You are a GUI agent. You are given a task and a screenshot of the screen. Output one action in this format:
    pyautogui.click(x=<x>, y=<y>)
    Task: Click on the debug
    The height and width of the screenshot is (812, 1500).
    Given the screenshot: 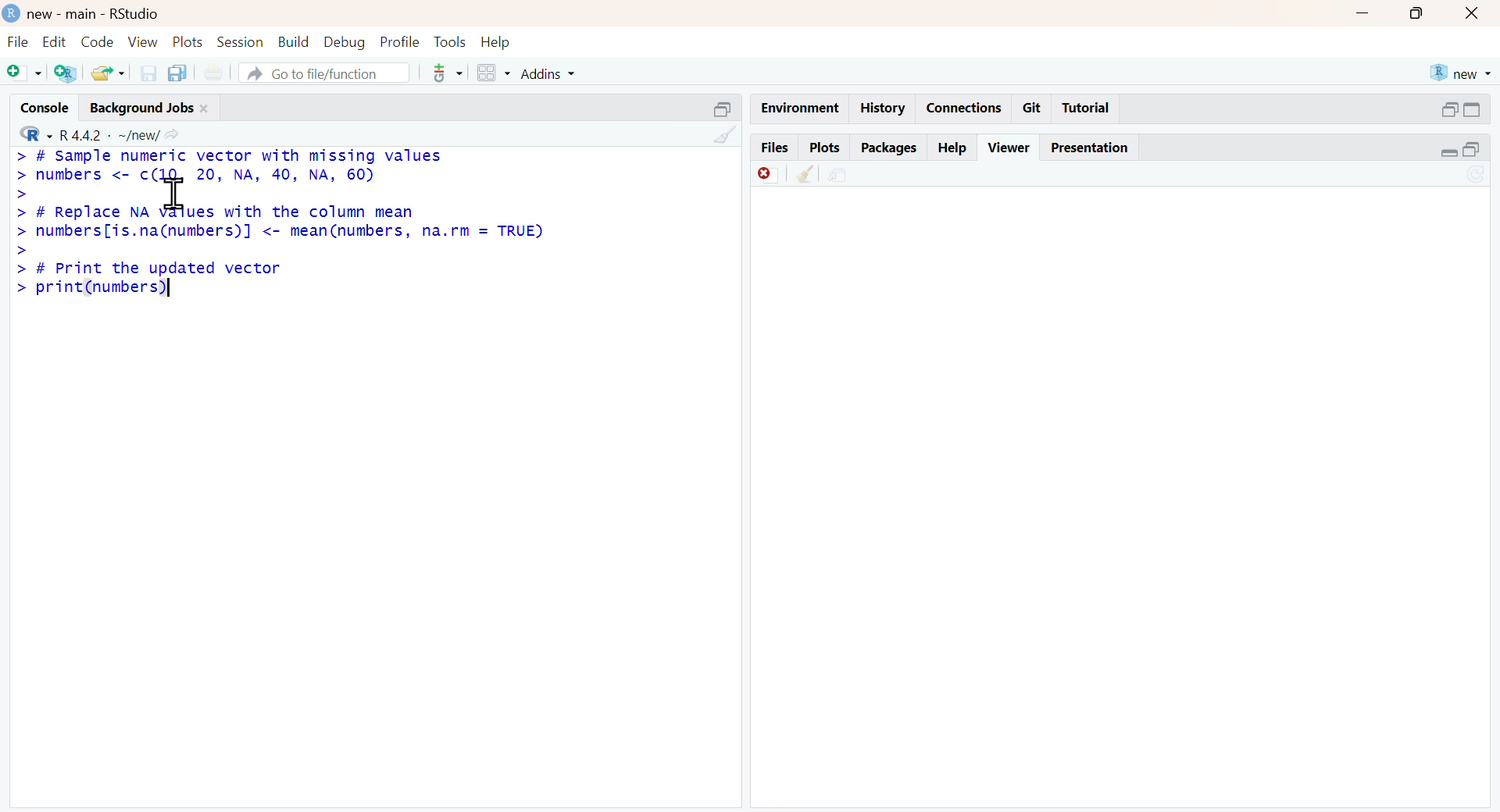 What is the action you would take?
    pyautogui.click(x=346, y=44)
    